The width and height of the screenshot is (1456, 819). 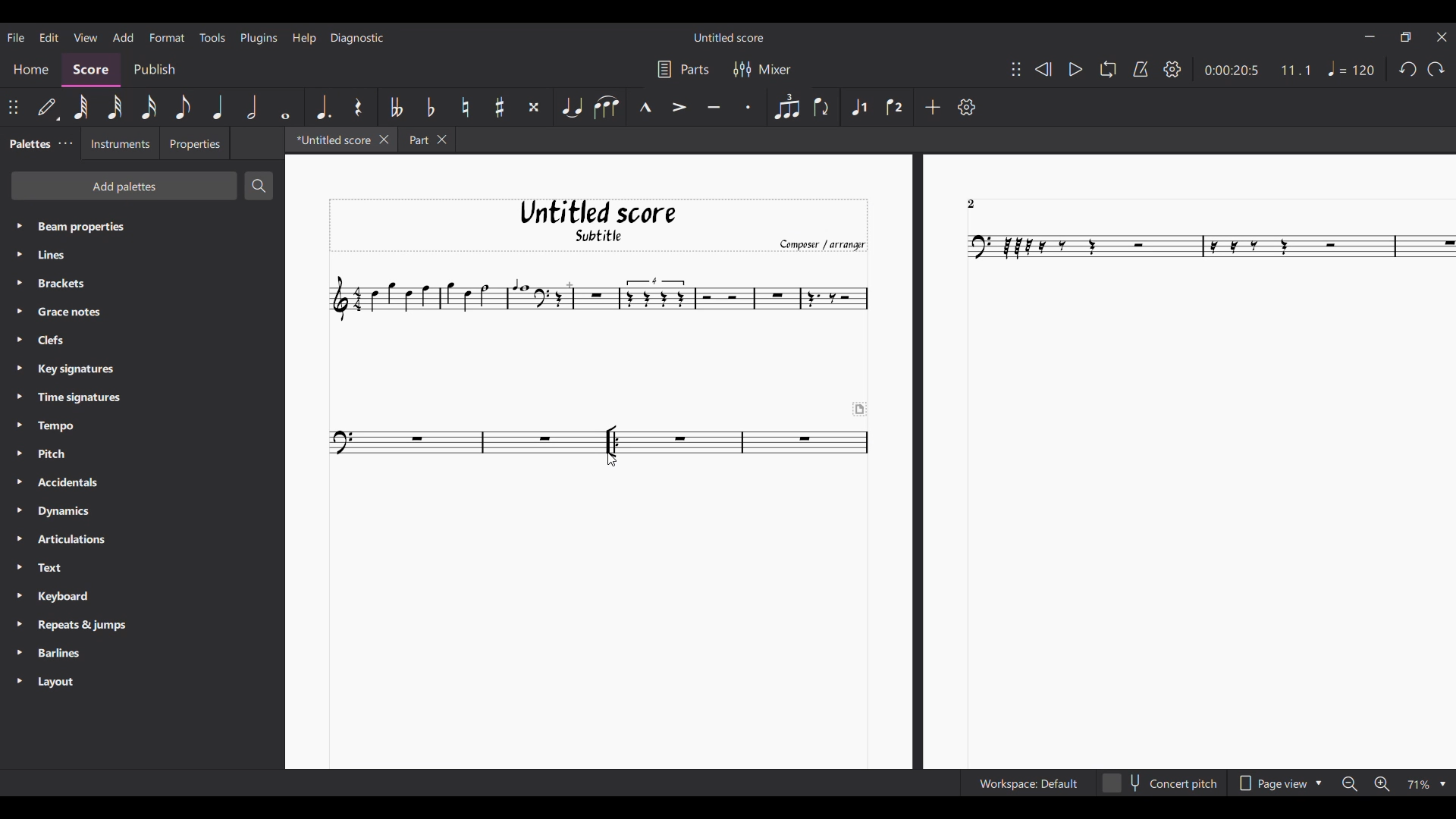 What do you see at coordinates (91, 71) in the screenshot?
I see `Score, current selection` at bounding box center [91, 71].